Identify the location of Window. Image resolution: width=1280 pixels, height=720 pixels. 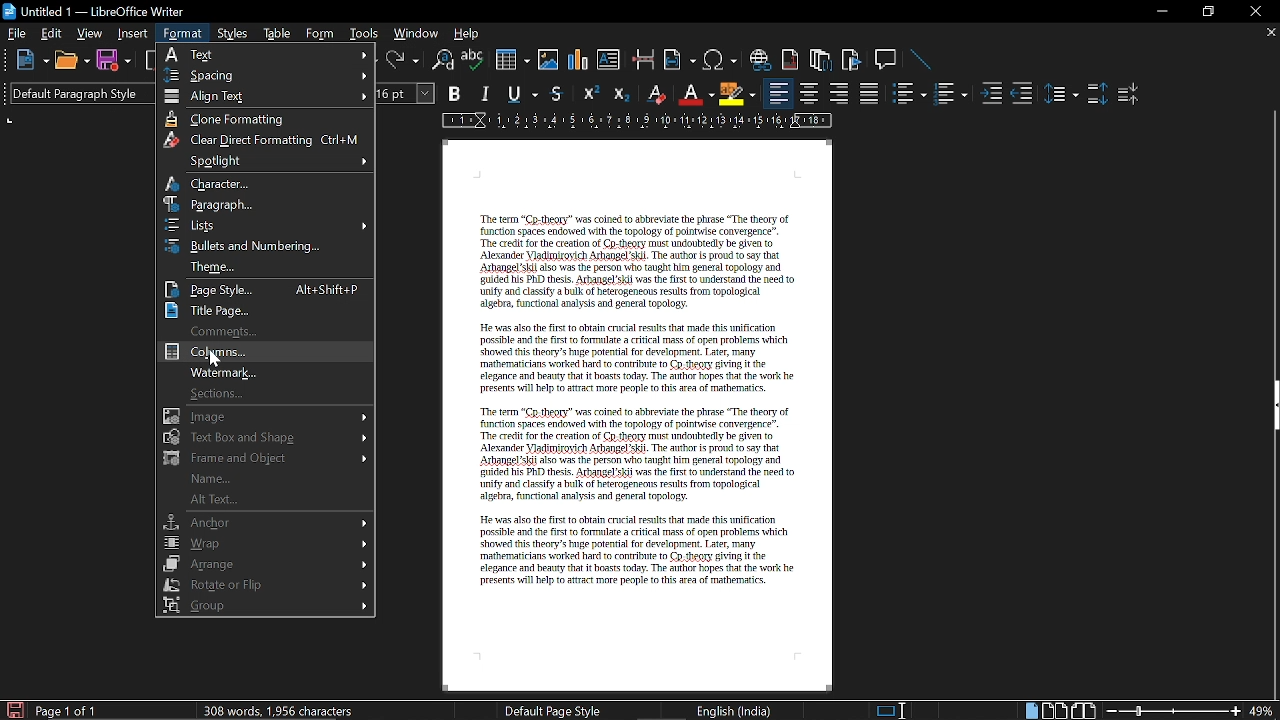
(415, 33).